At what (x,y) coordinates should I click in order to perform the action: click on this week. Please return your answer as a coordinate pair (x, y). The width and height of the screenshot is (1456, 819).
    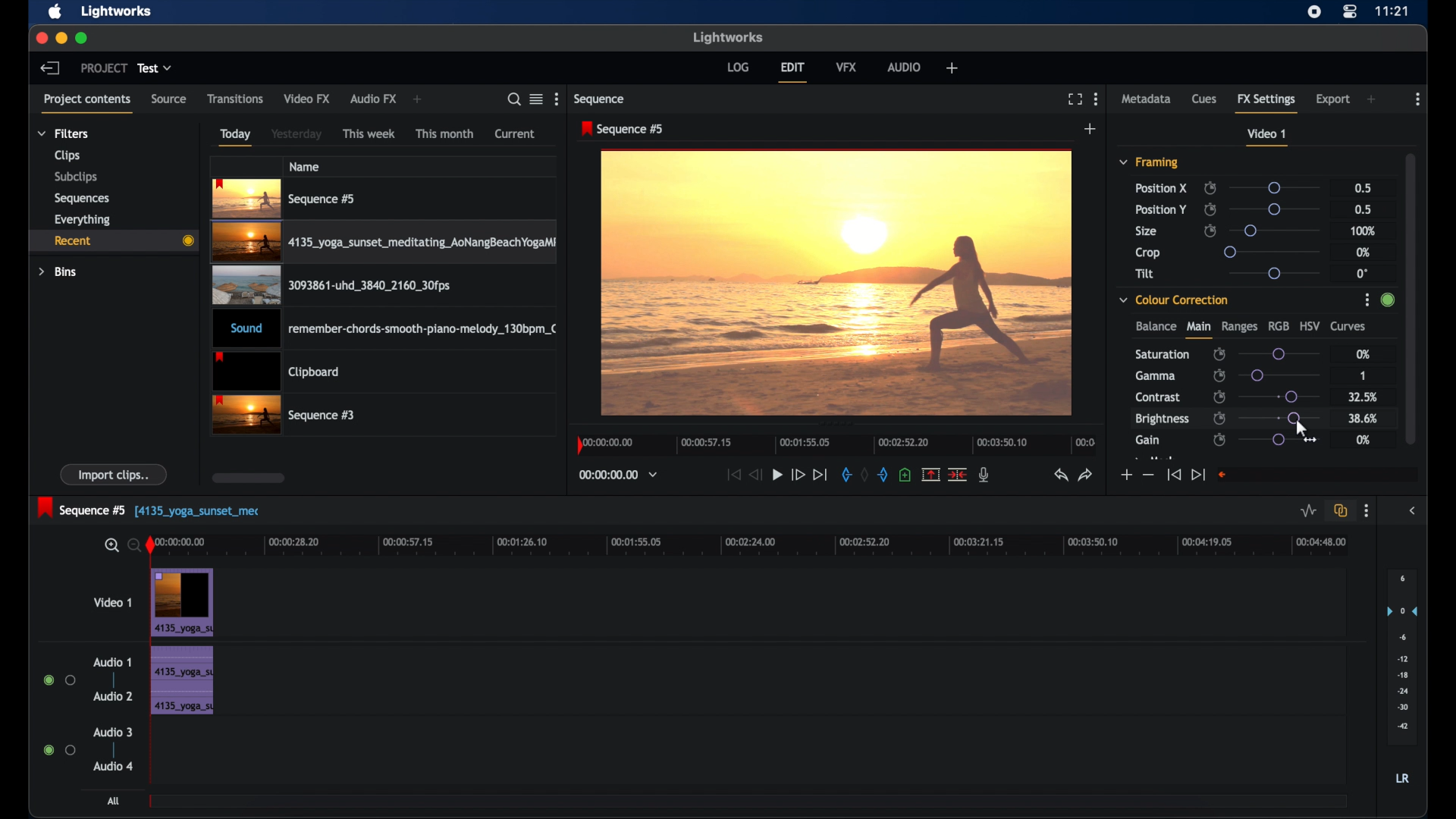
    Looking at the image, I should click on (369, 134).